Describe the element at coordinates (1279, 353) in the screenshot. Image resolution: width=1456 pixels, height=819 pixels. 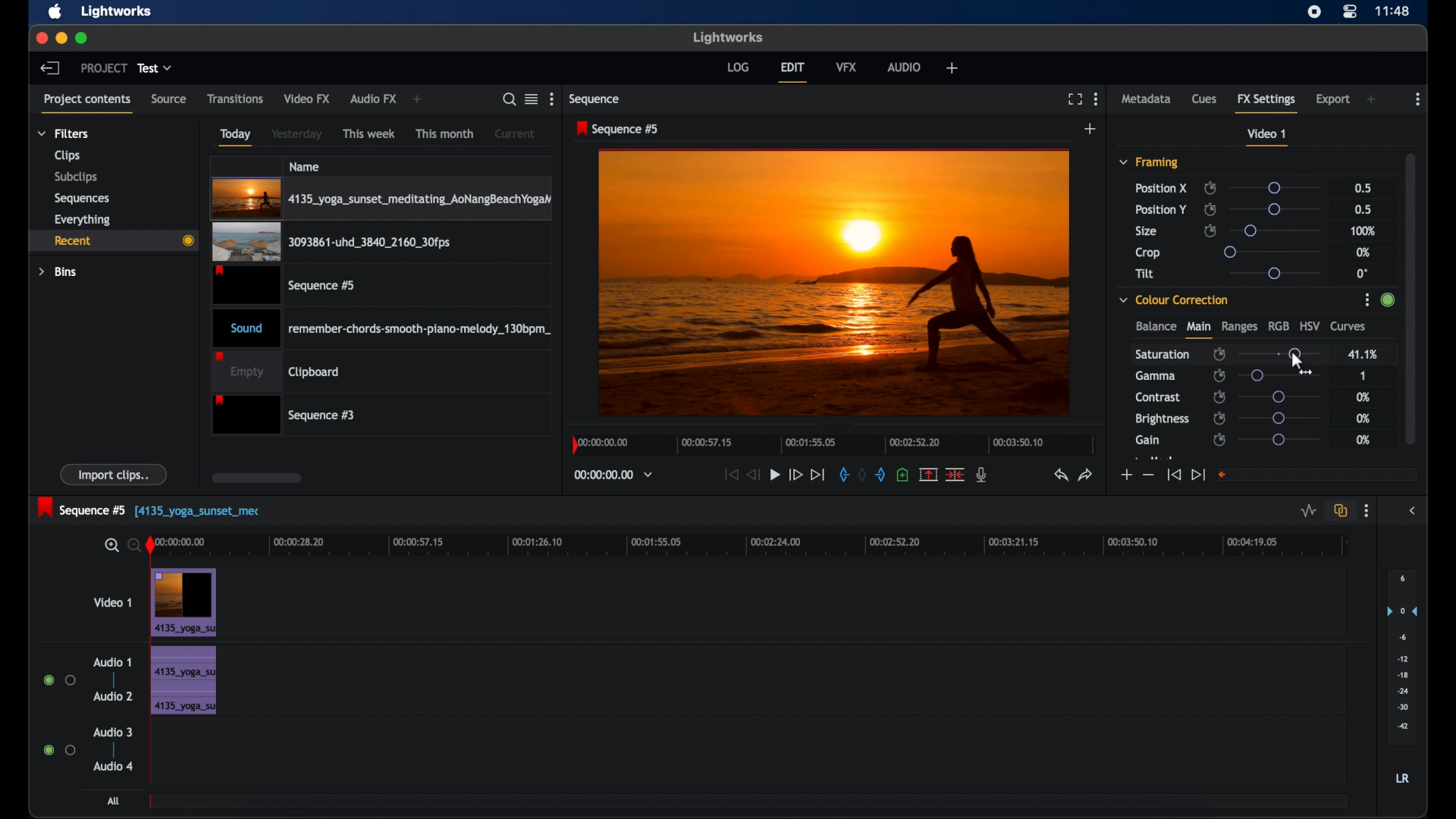
I see `slider` at that location.